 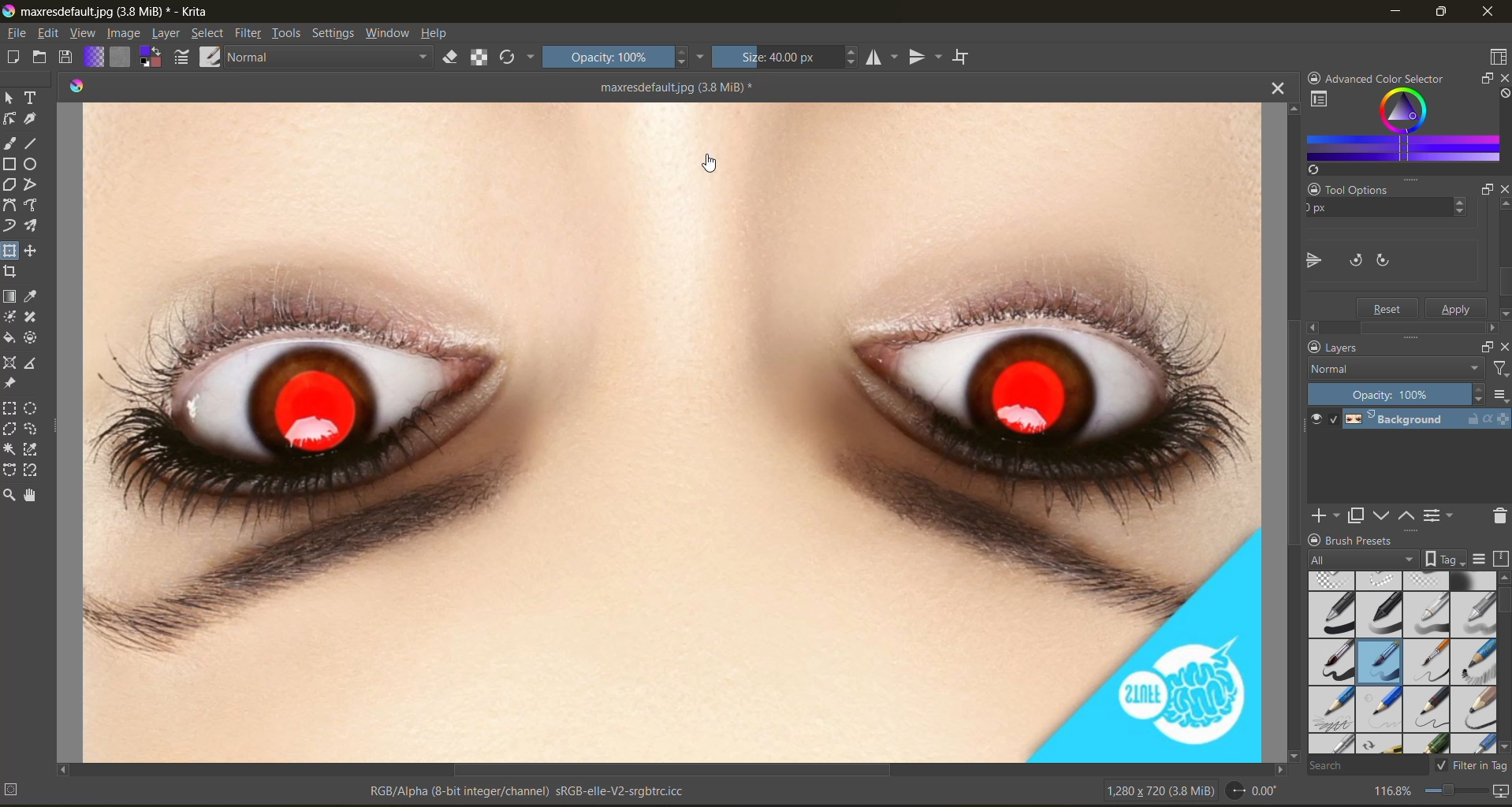 I want to click on horizontal scroll bar, so click(x=672, y=767).